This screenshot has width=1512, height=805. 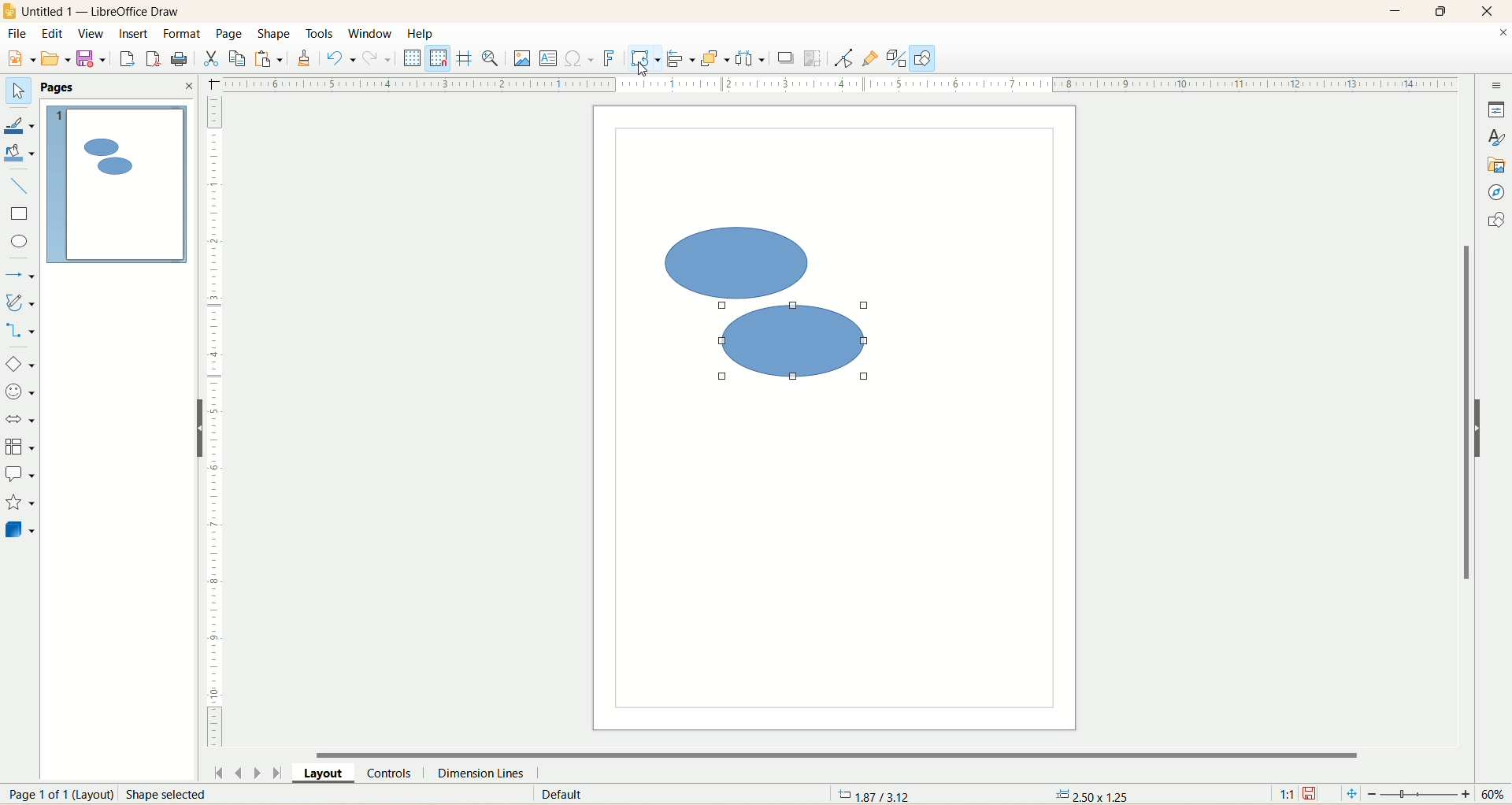 What do you see at coordinates (733, 258) in the screenshot?
I see `shape selected` at bounding box center [733, 258].